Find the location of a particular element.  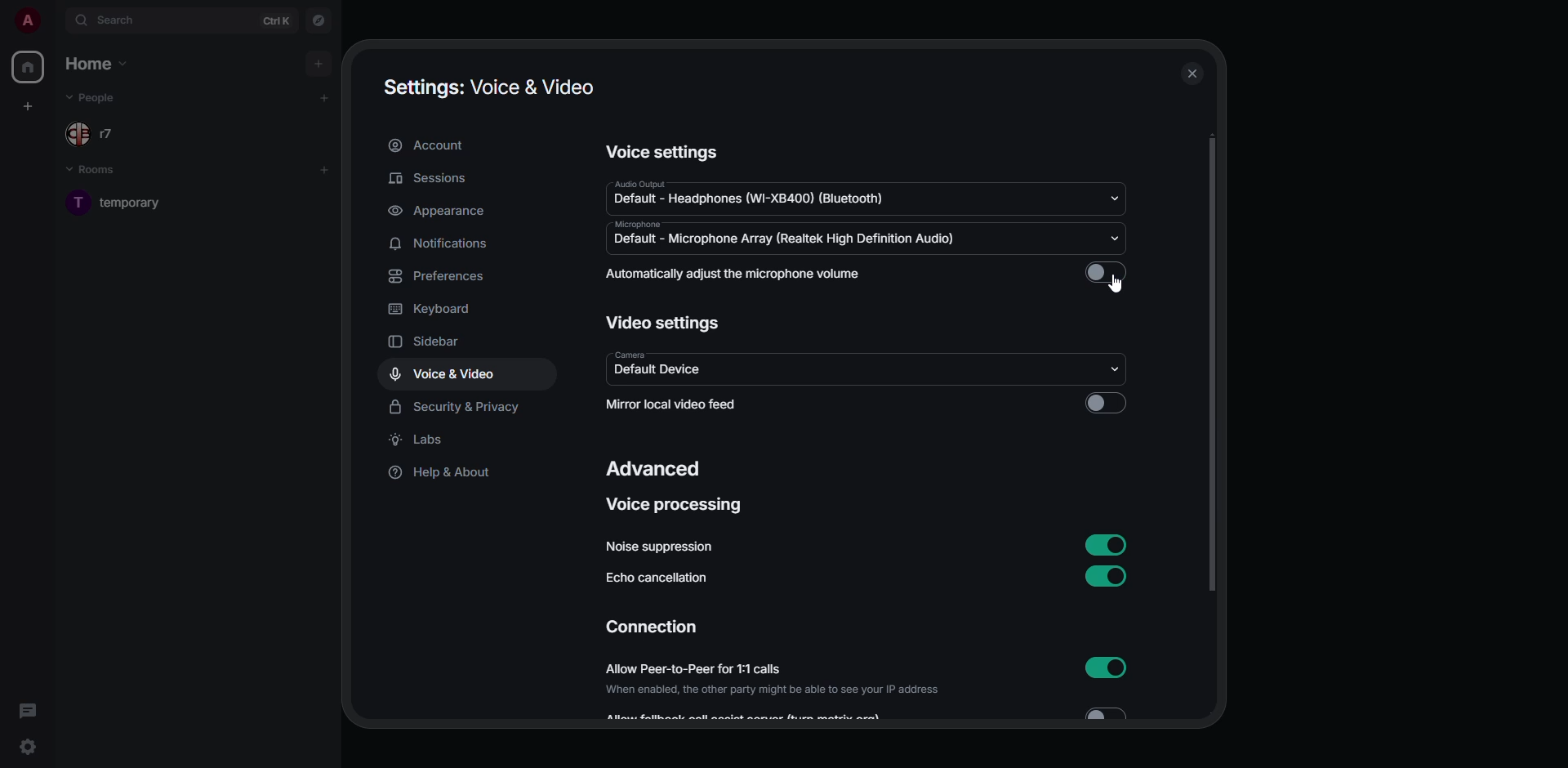

rooms is located at coordinates (94, 169).